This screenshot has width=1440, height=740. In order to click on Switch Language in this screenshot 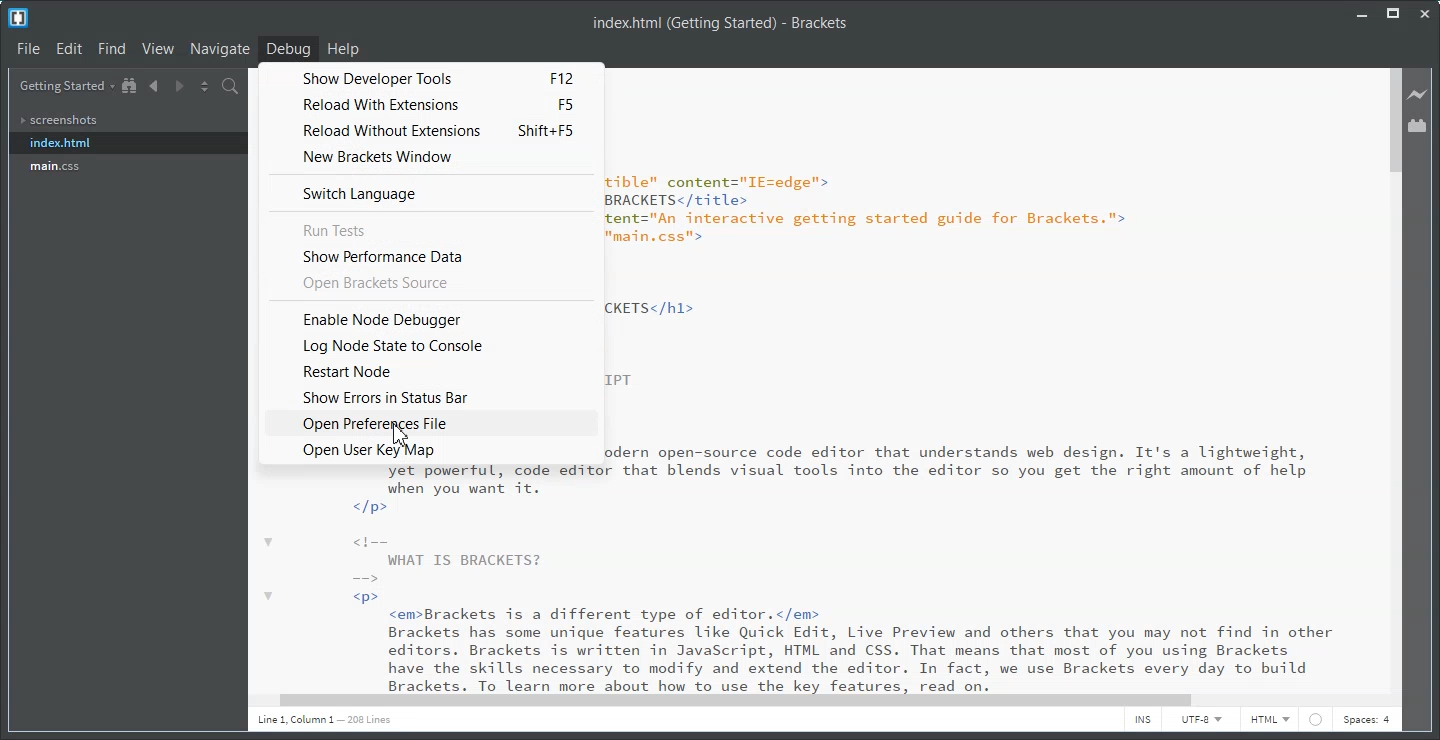, I will do `click(427, 193)`.